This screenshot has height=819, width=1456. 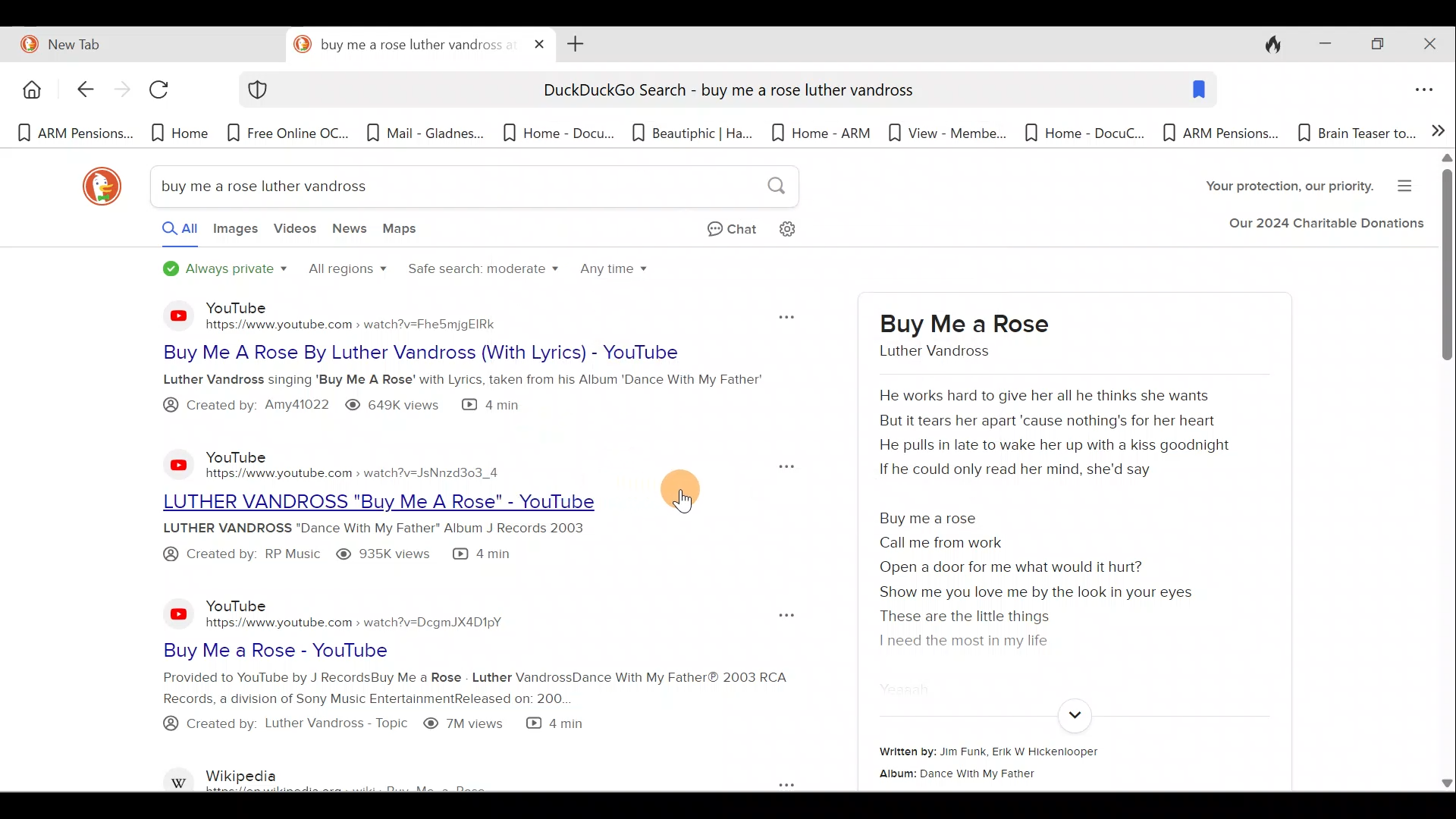 I want to click on Bookmark 6, so click(x=693, y=132).